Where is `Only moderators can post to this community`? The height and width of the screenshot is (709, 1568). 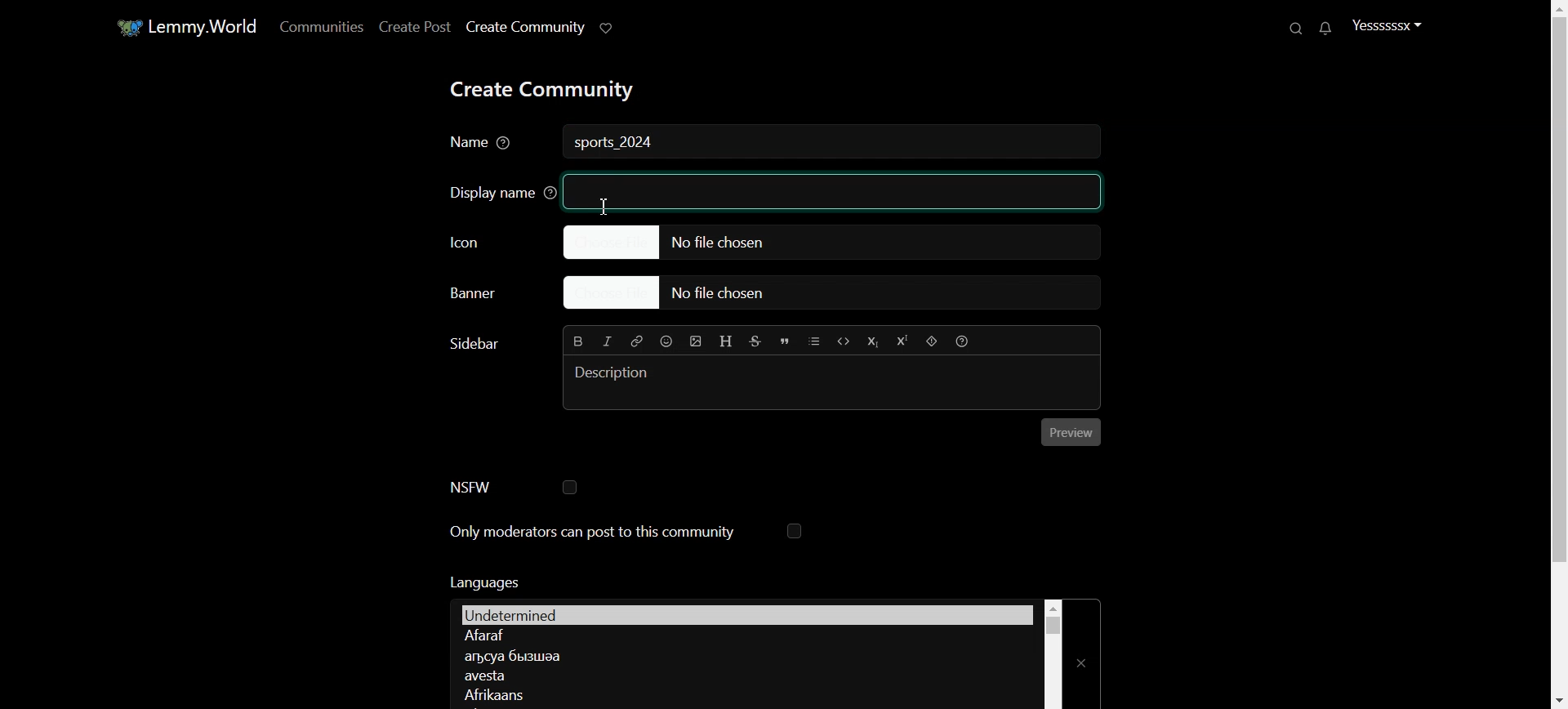 Only moderators can post to this community is located at coordinates (626, 533).